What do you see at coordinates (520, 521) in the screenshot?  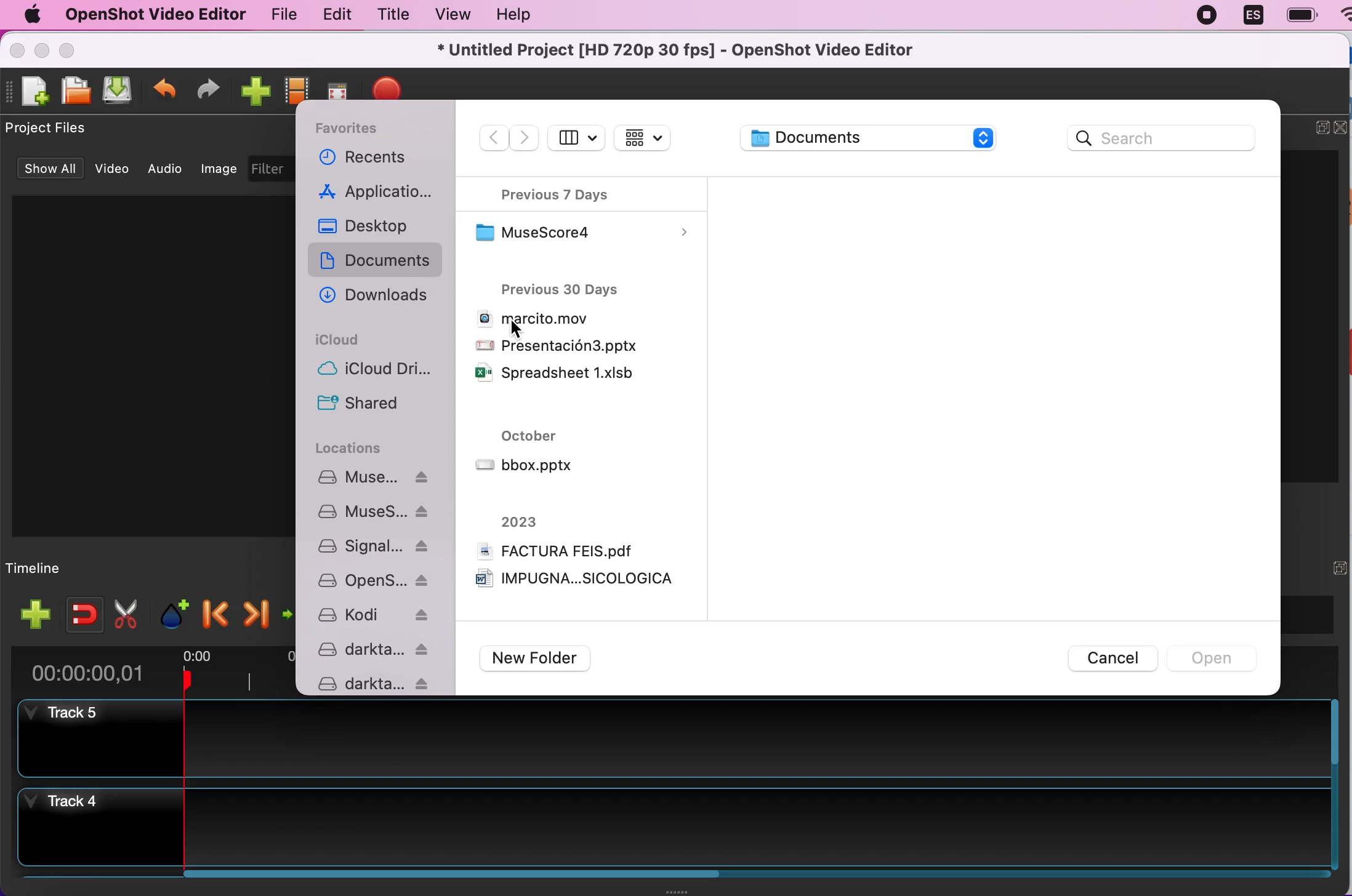 I see `2023` at bounding box center [520, 521].